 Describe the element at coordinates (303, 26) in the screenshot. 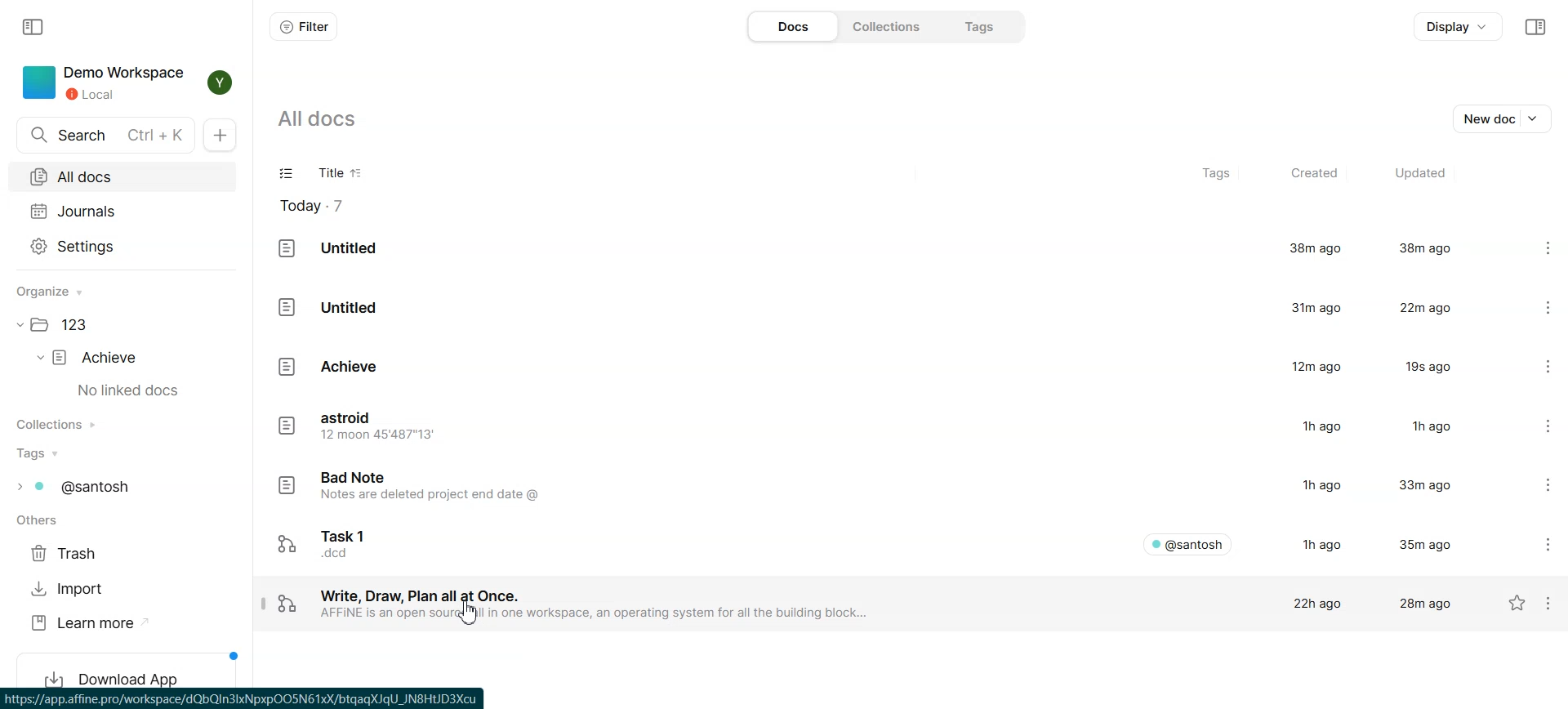

I see `Filter` at that location.